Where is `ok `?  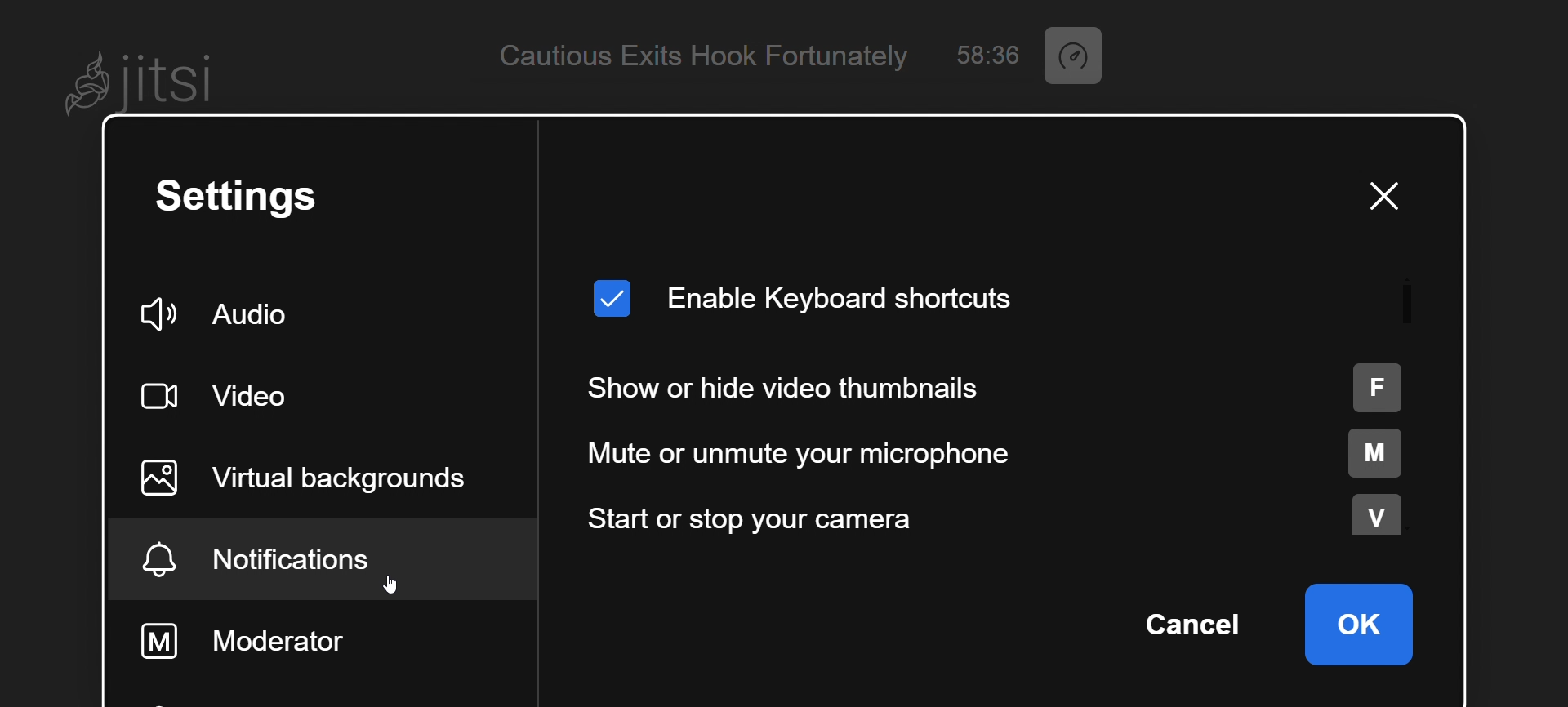
ok  is located at coordinates (1357, 623).